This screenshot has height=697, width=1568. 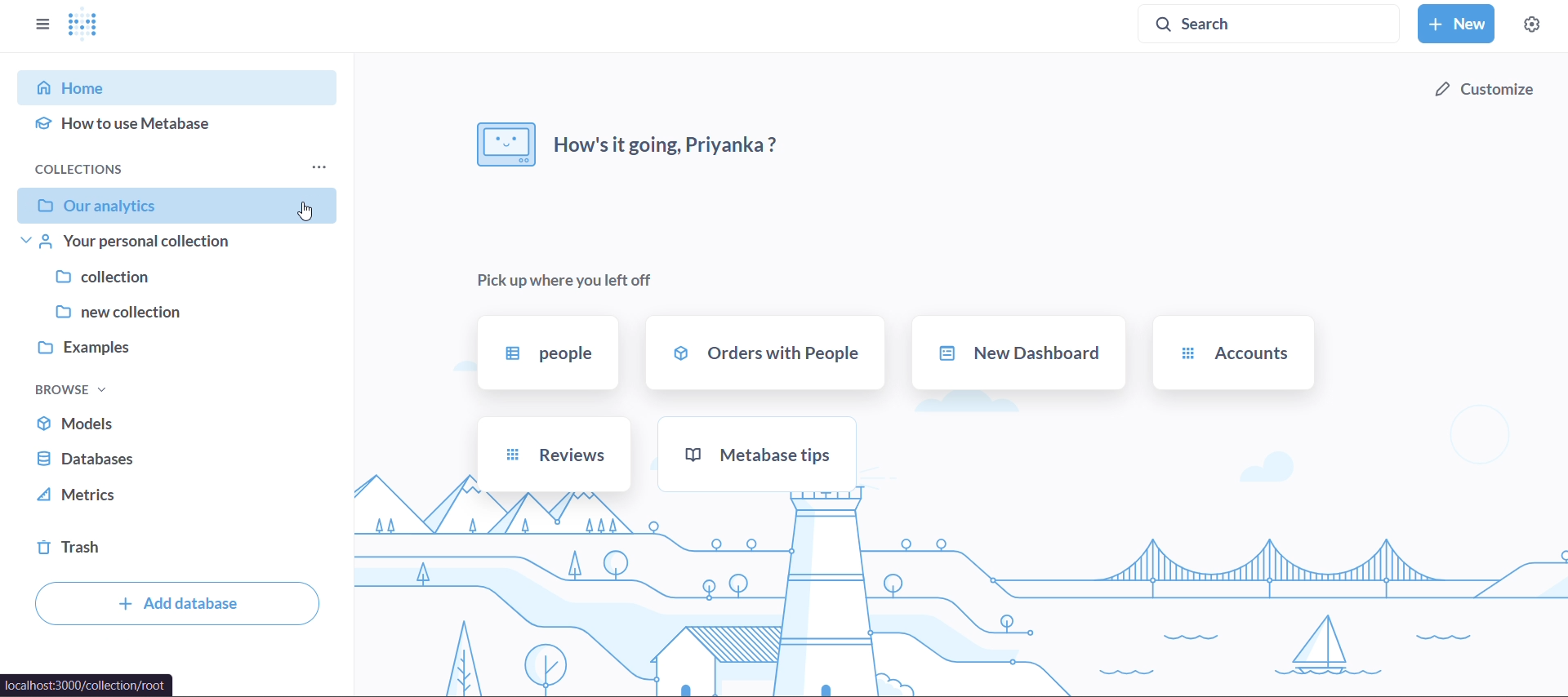 What do you see at coordinates (167, 424) in the screenshot?
I see `models` at bounding box center [167, 424].